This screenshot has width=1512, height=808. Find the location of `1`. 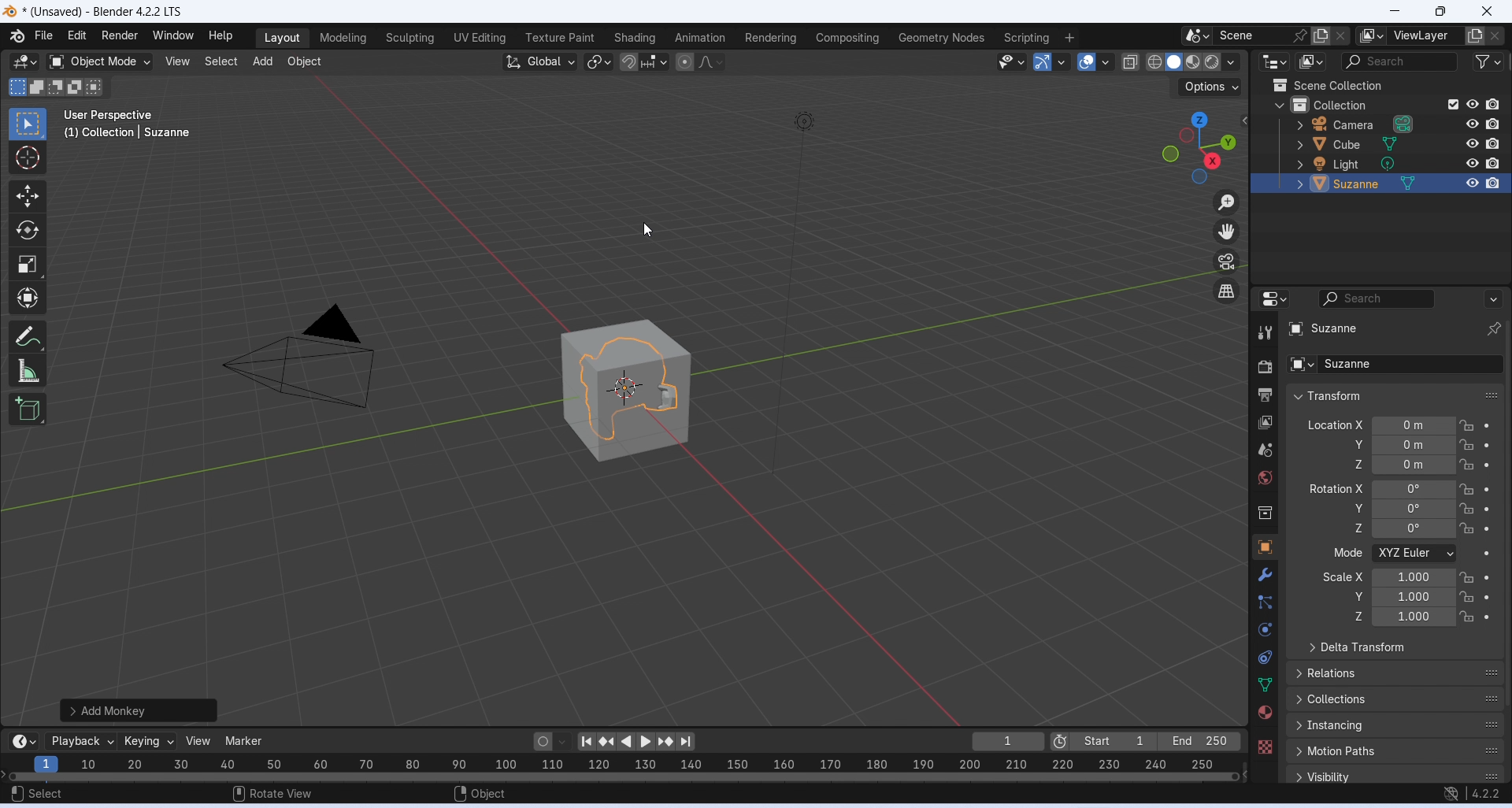

1 is located at coordinates (1009, 741).